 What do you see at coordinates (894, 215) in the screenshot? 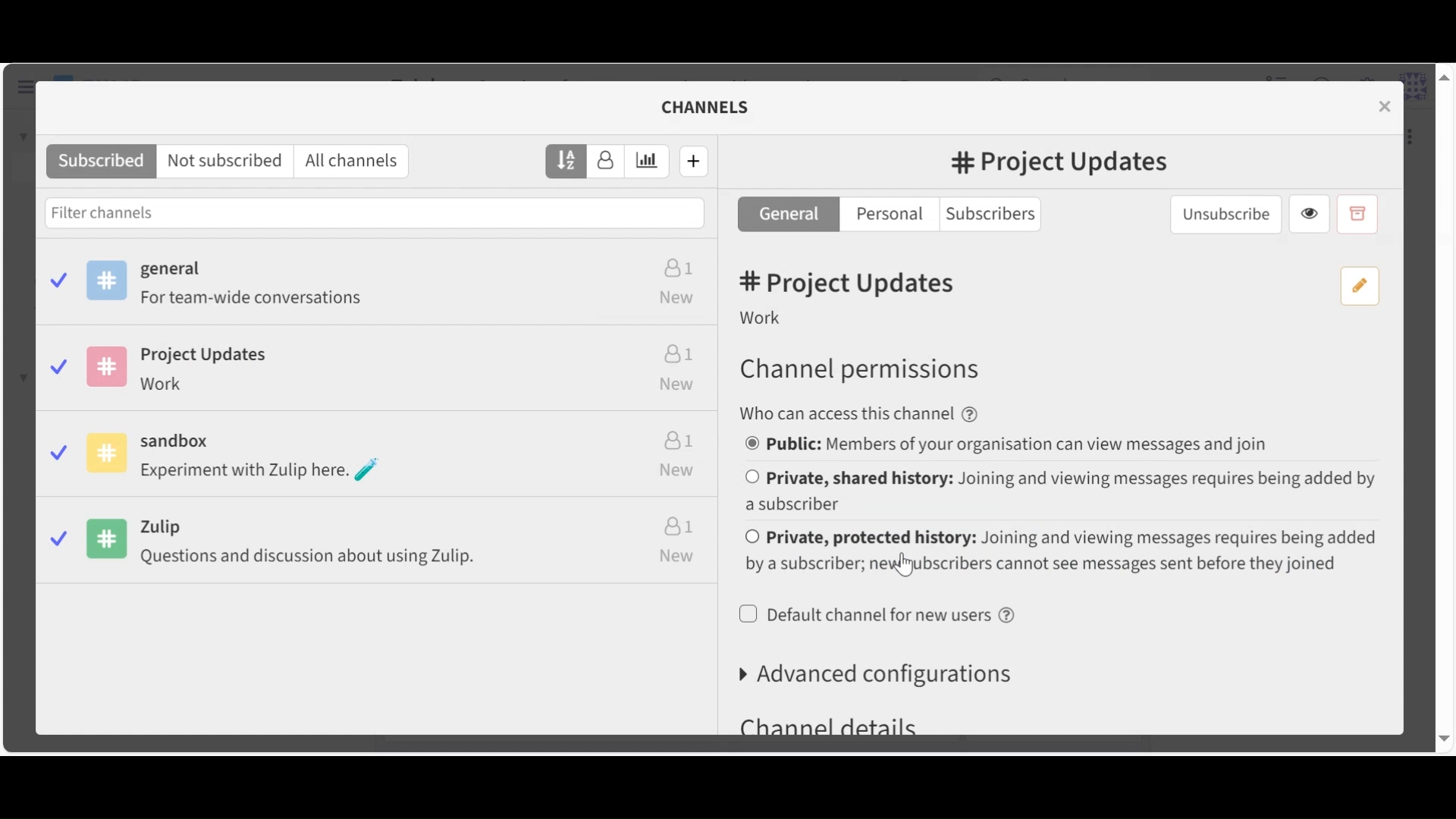
I see `Personal` at bounding box center [894, 215].